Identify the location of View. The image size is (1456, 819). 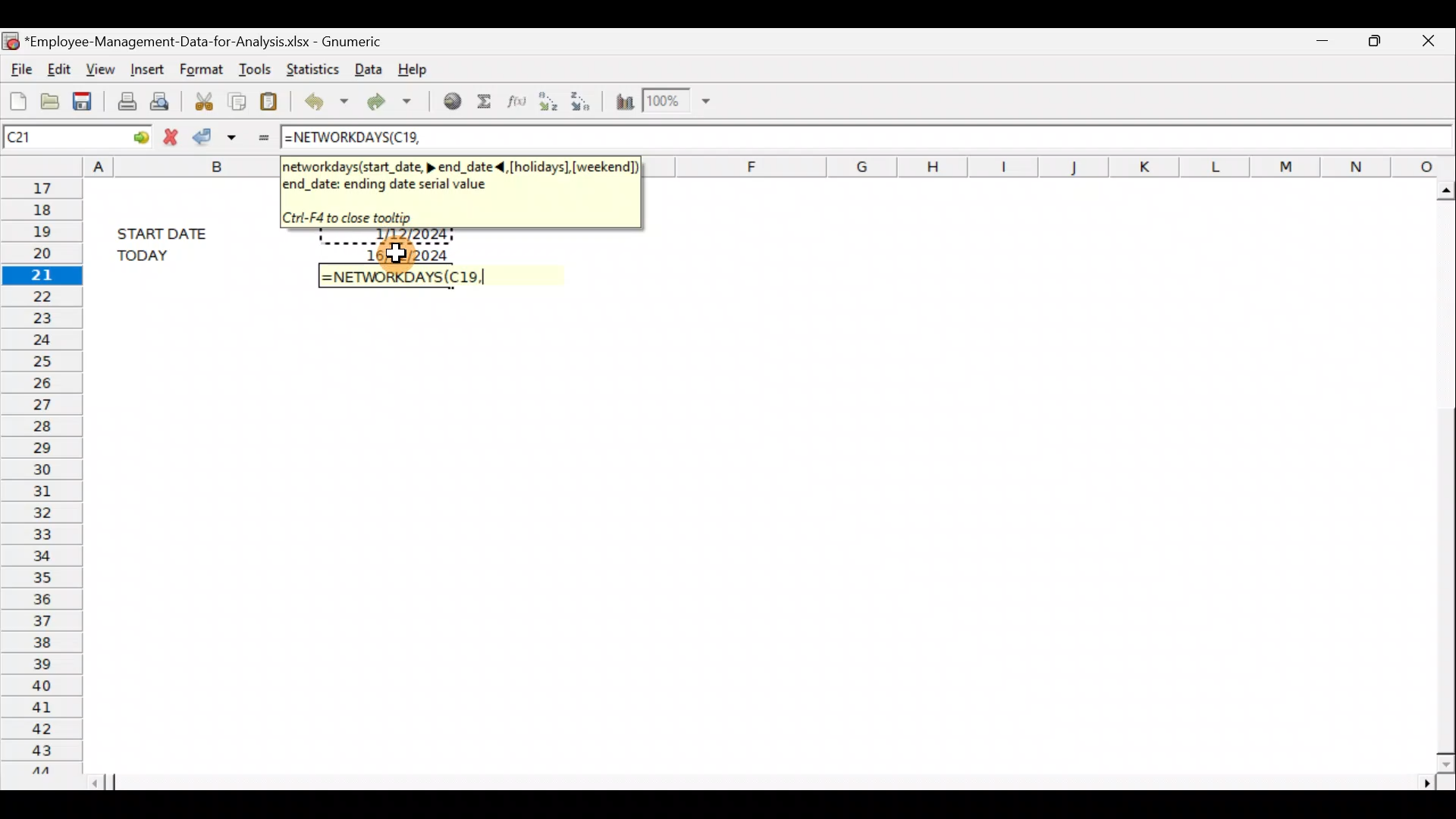
(102, 68).